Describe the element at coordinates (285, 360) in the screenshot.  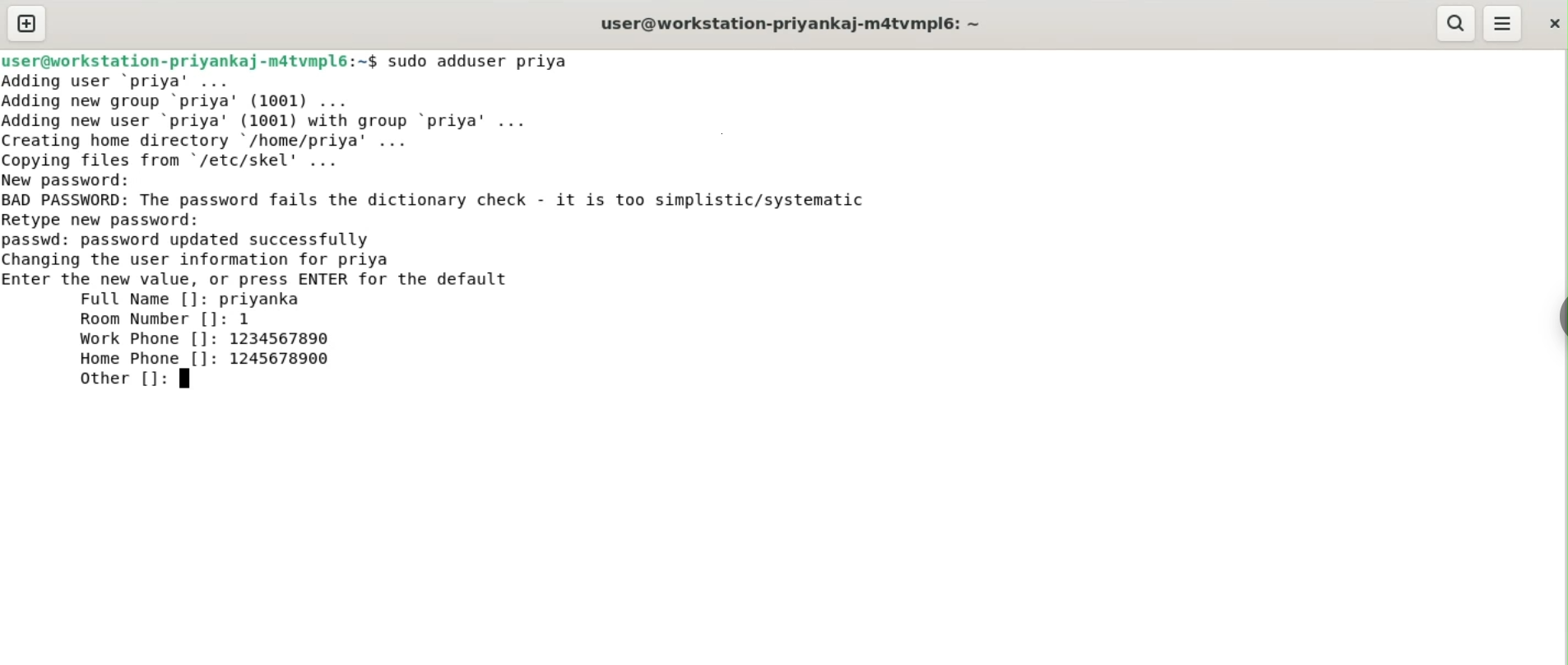
I see `1245678900` at that location.